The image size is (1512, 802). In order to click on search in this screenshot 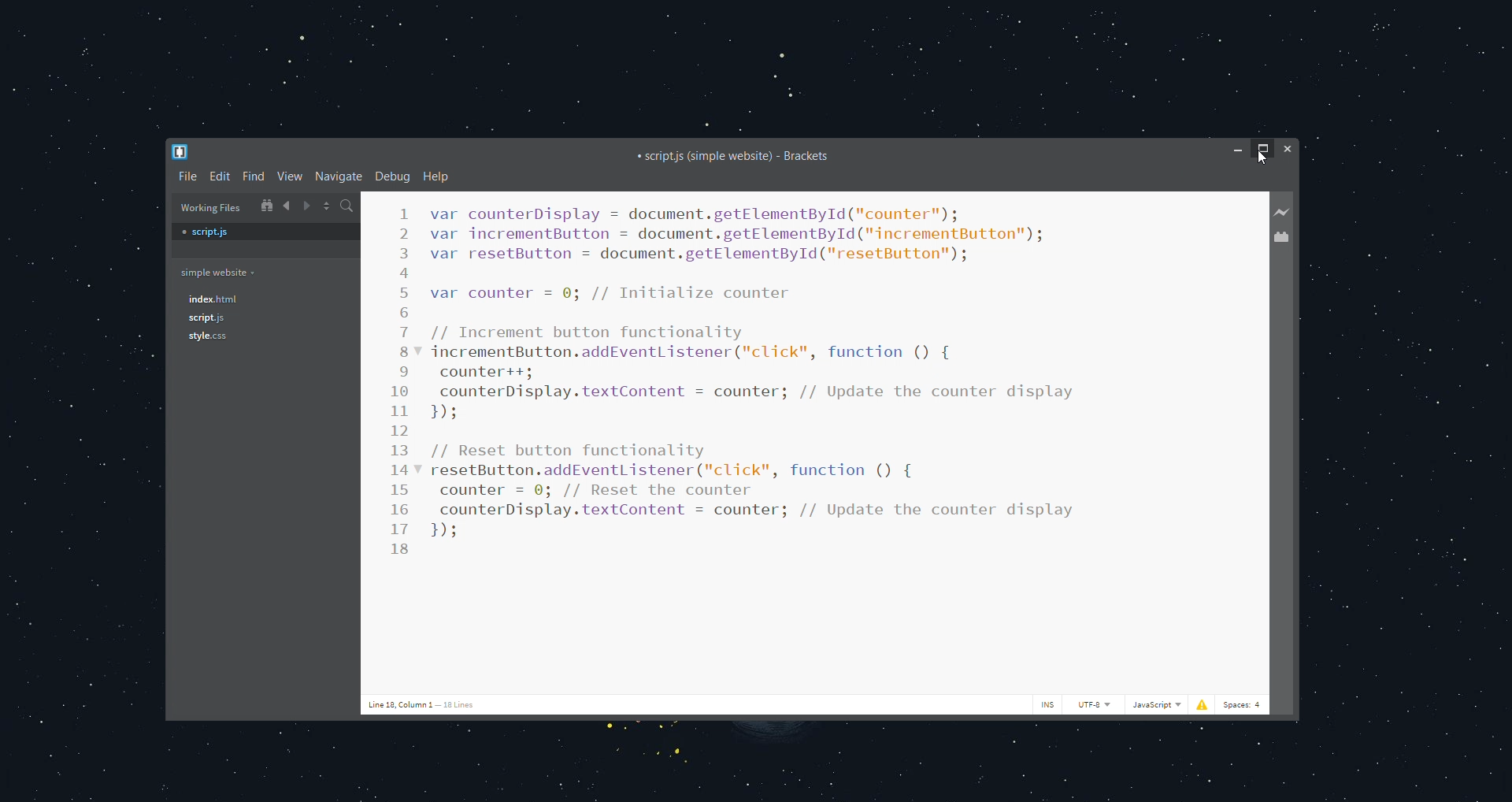, I will do `click(349, 206)`.